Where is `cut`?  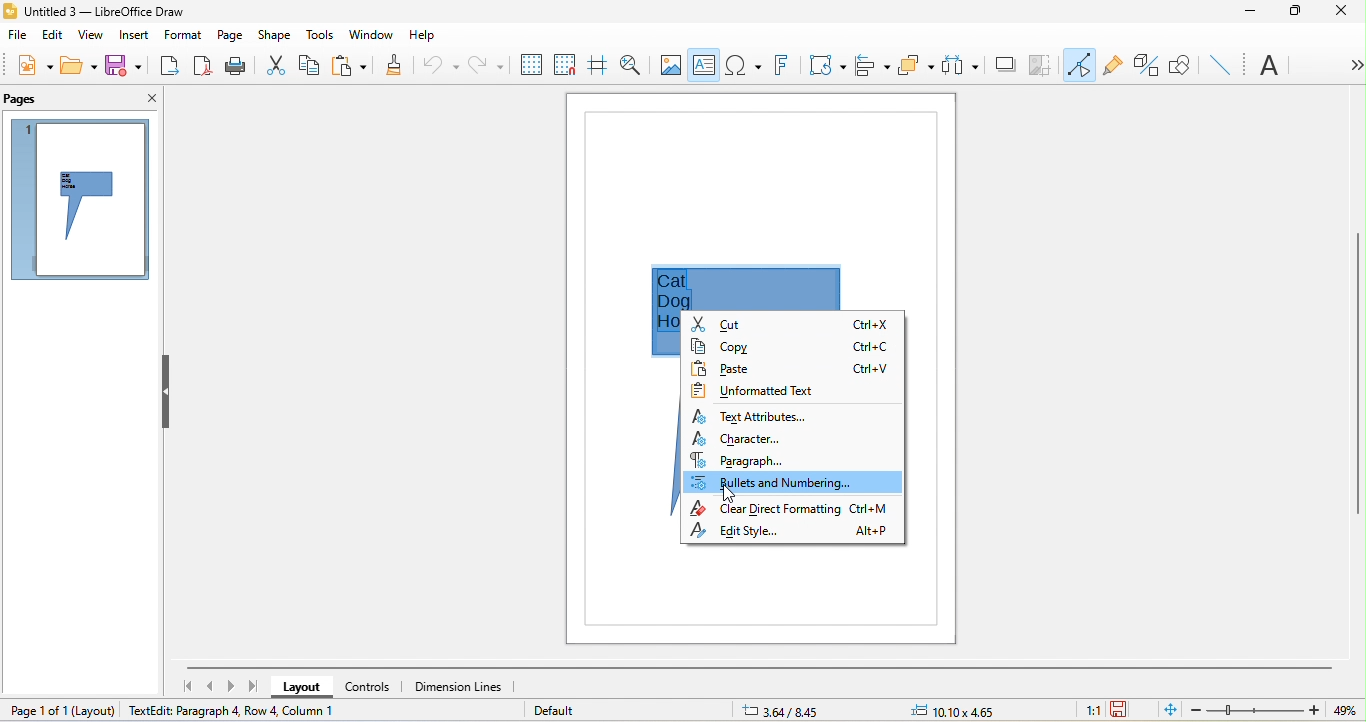 cut is located at coordinates (274, 65).